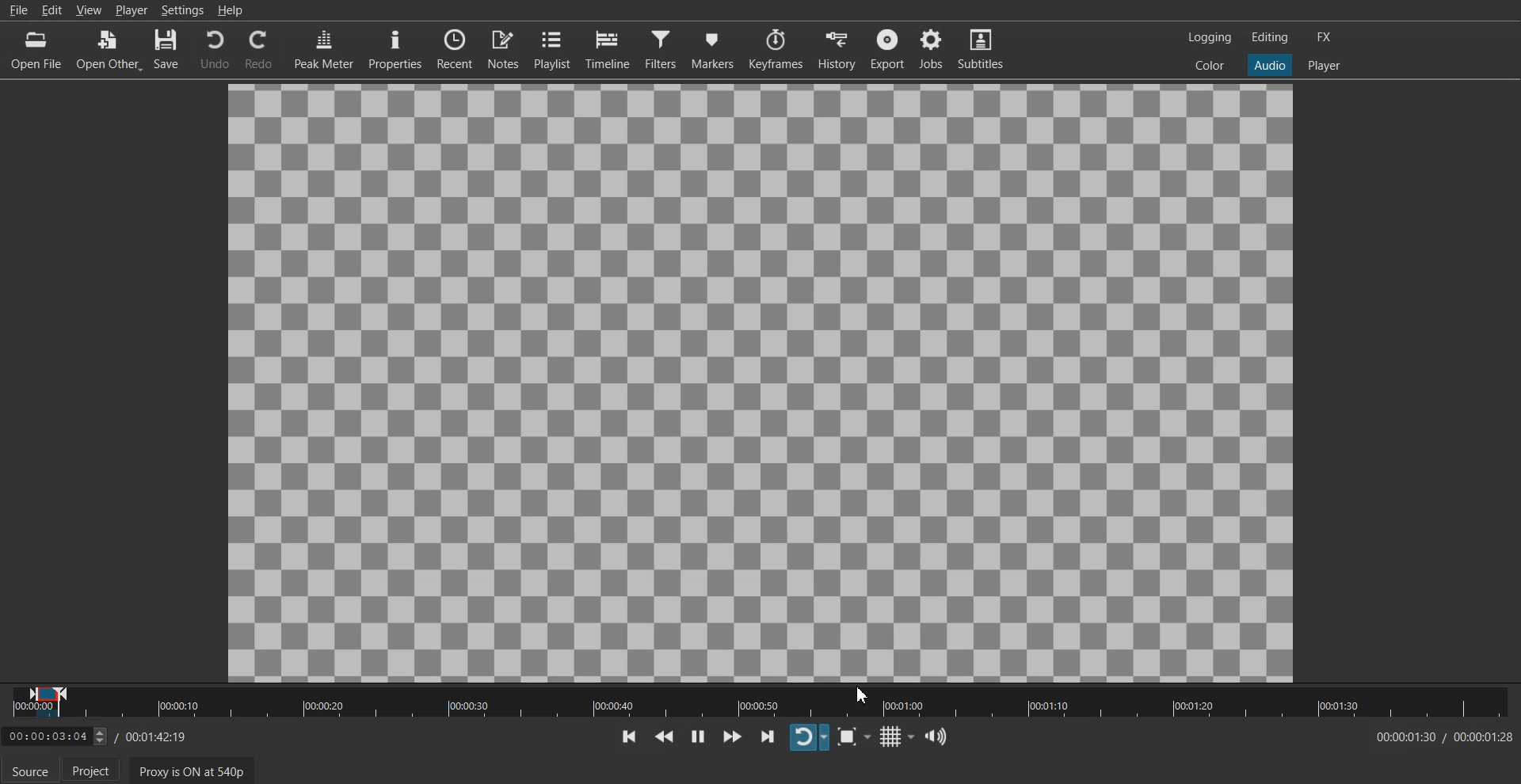  I want to click on Play Quickly Backwards, so click(664, 736).